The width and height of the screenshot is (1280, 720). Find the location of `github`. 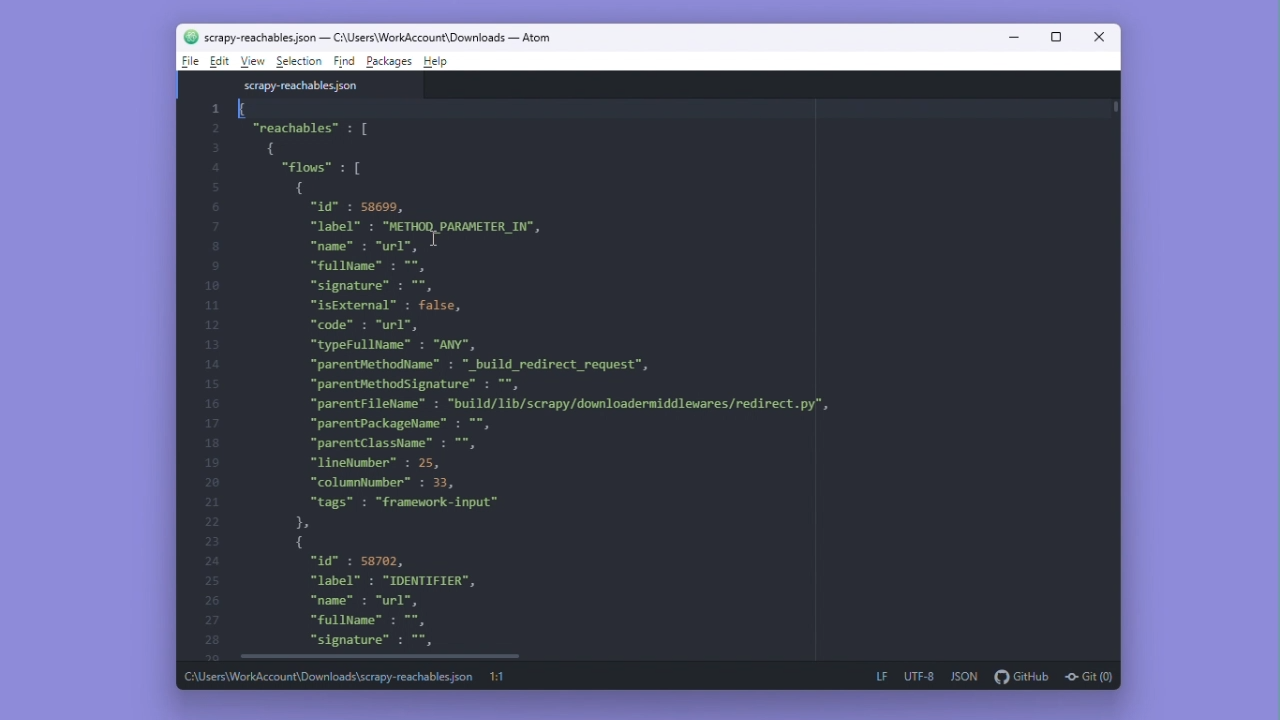

github is located at coordinates (1017, 675).